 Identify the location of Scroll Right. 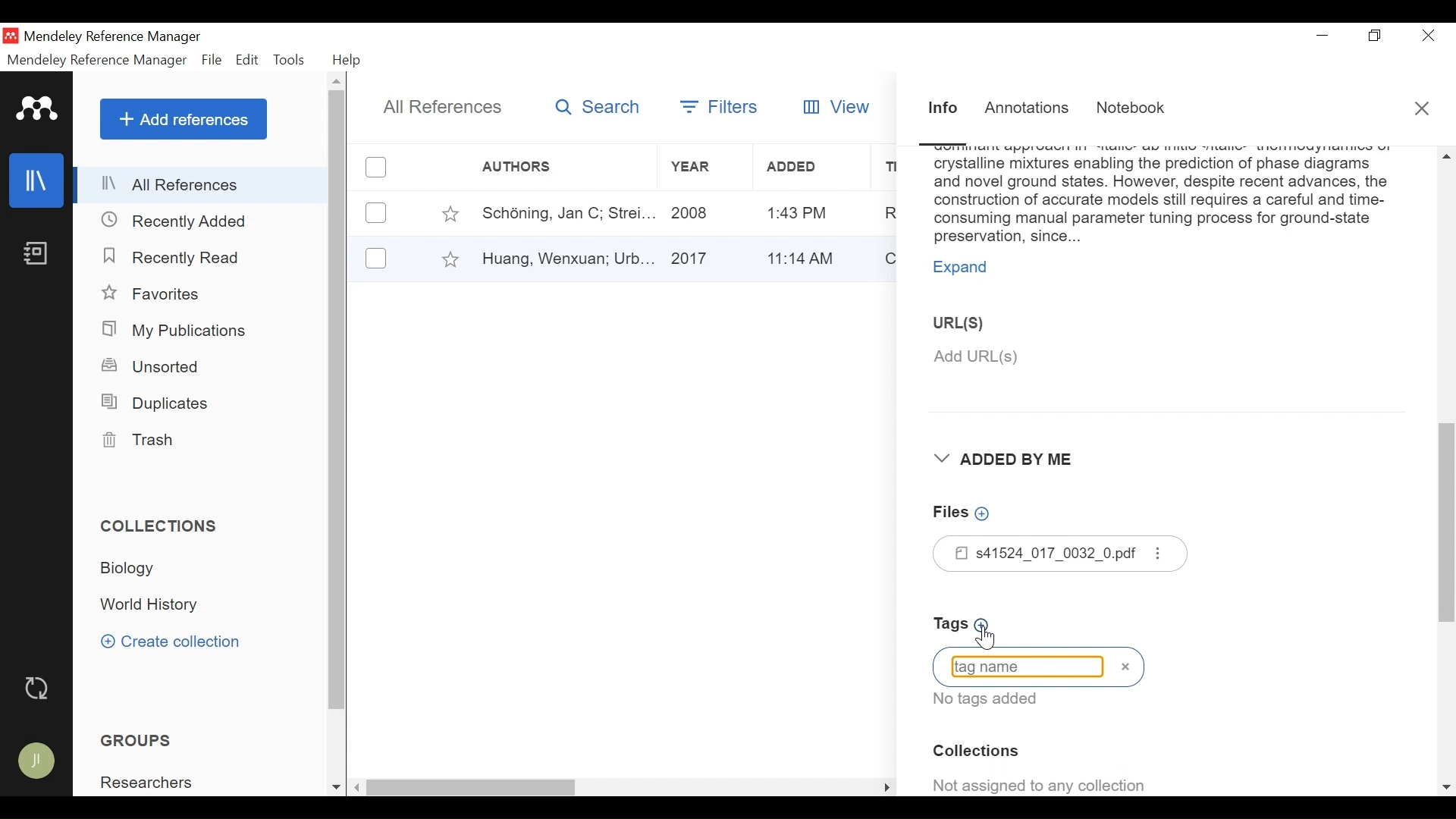
(887, 787).